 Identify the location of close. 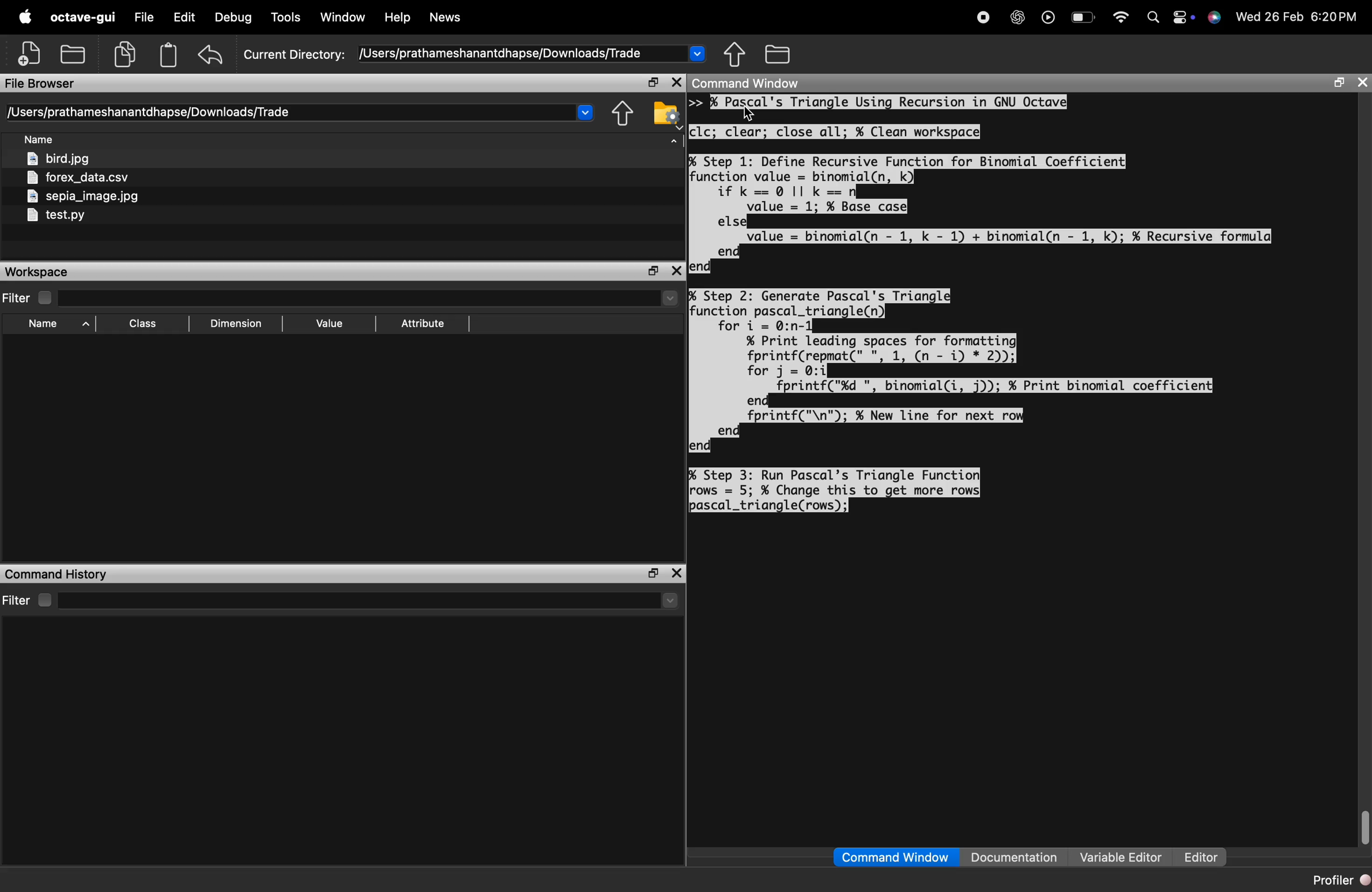
(676, 83).